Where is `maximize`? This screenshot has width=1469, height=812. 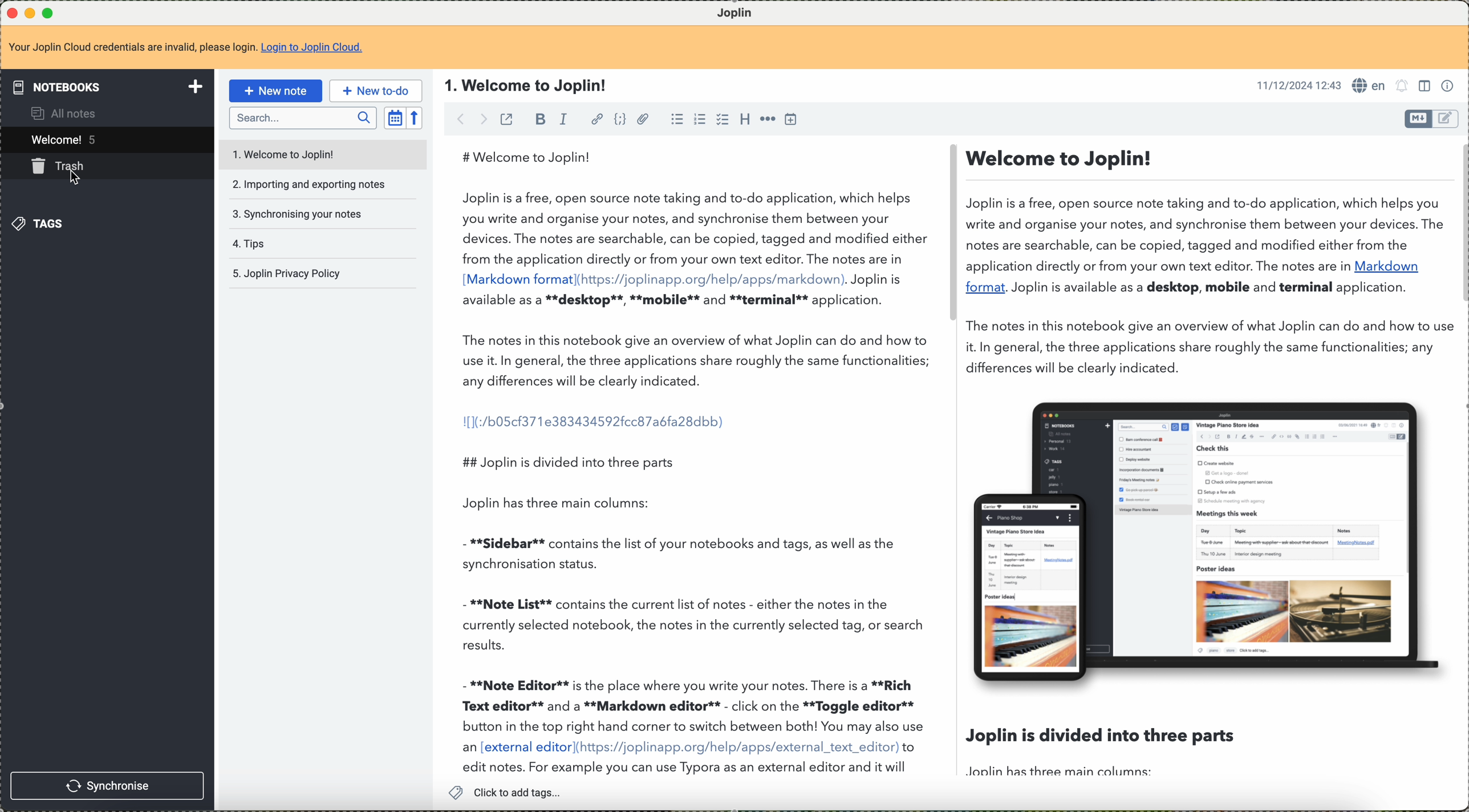 maximize is located at coordinates (48, 11).